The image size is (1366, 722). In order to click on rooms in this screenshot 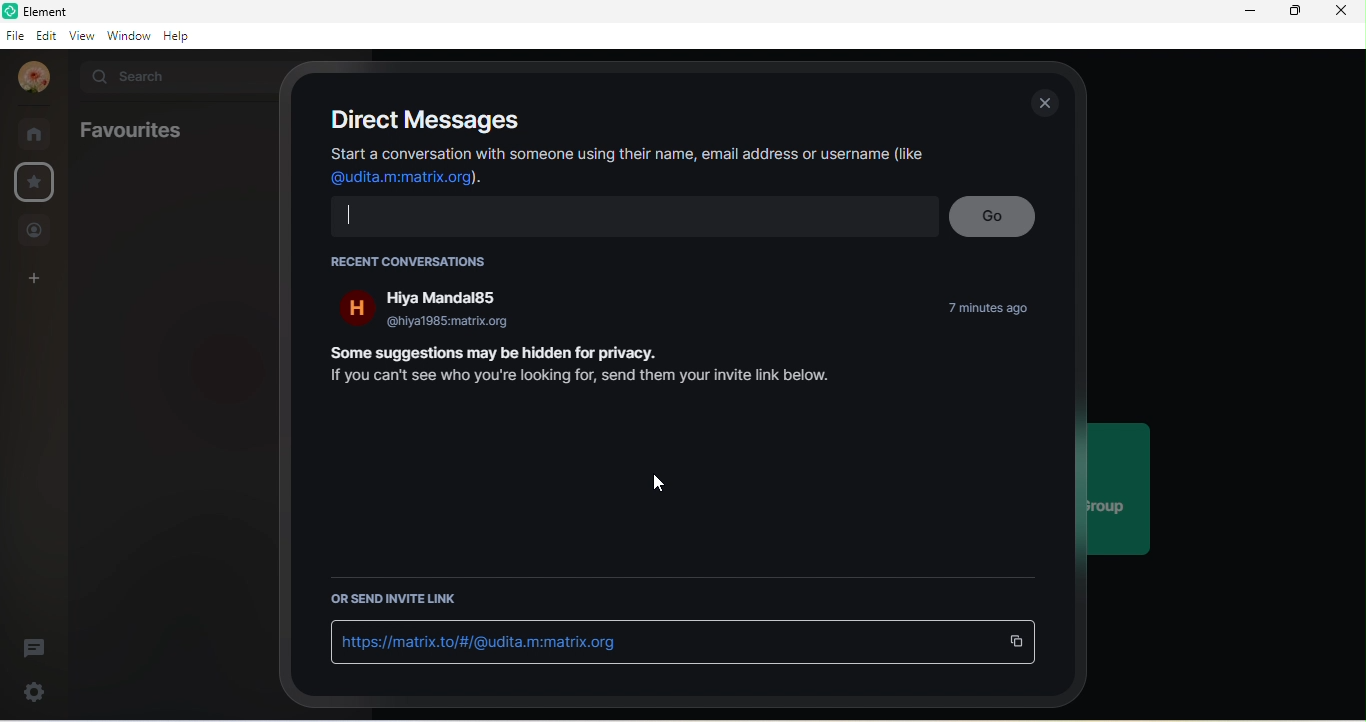, I will do `click(37, 134)`.